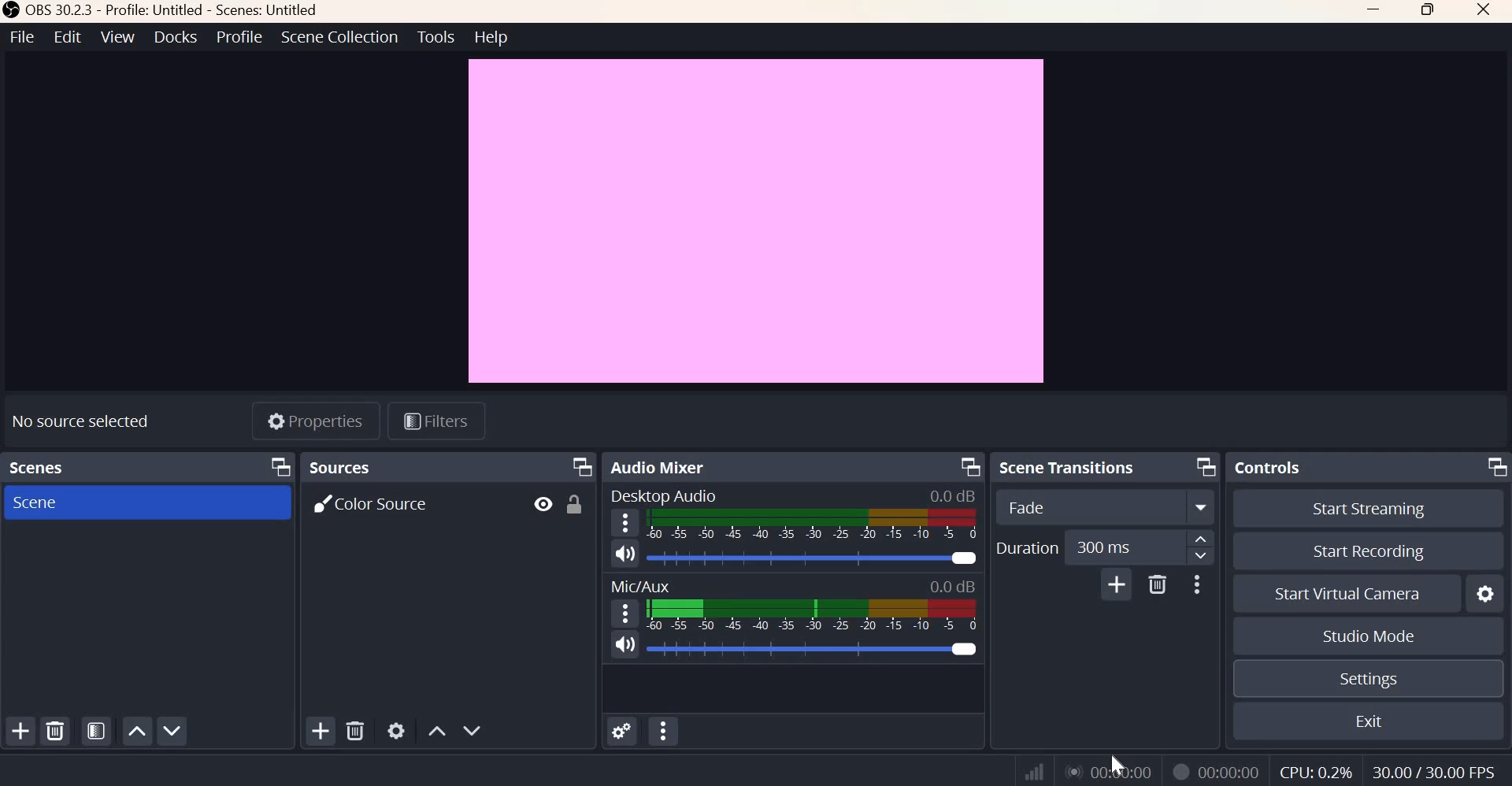  Describe the element at coordinates (624, 521) in the screenshot. I see `hamburger menu` at that location.